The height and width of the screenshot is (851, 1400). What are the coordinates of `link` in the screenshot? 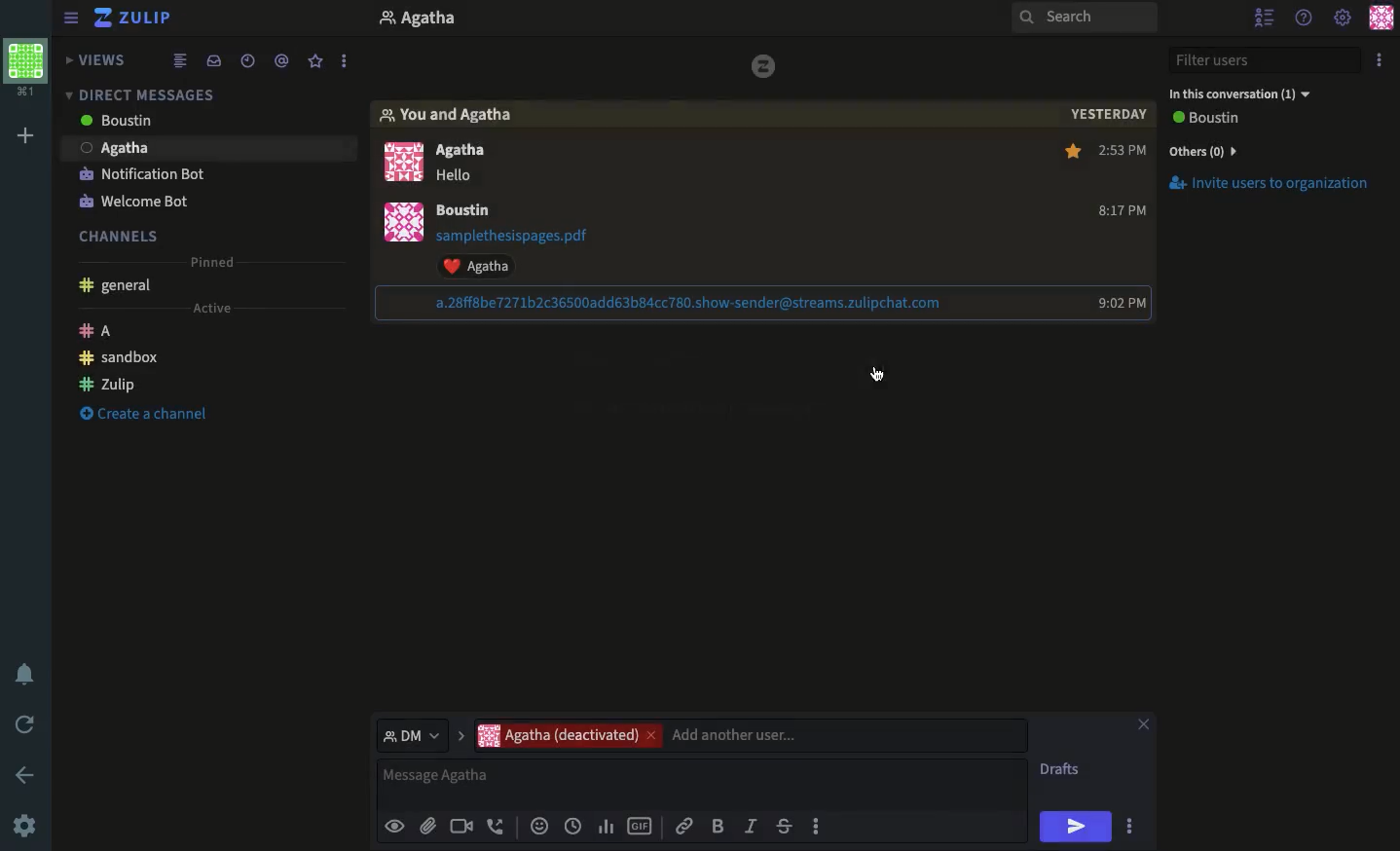 It's located at (690, 303).